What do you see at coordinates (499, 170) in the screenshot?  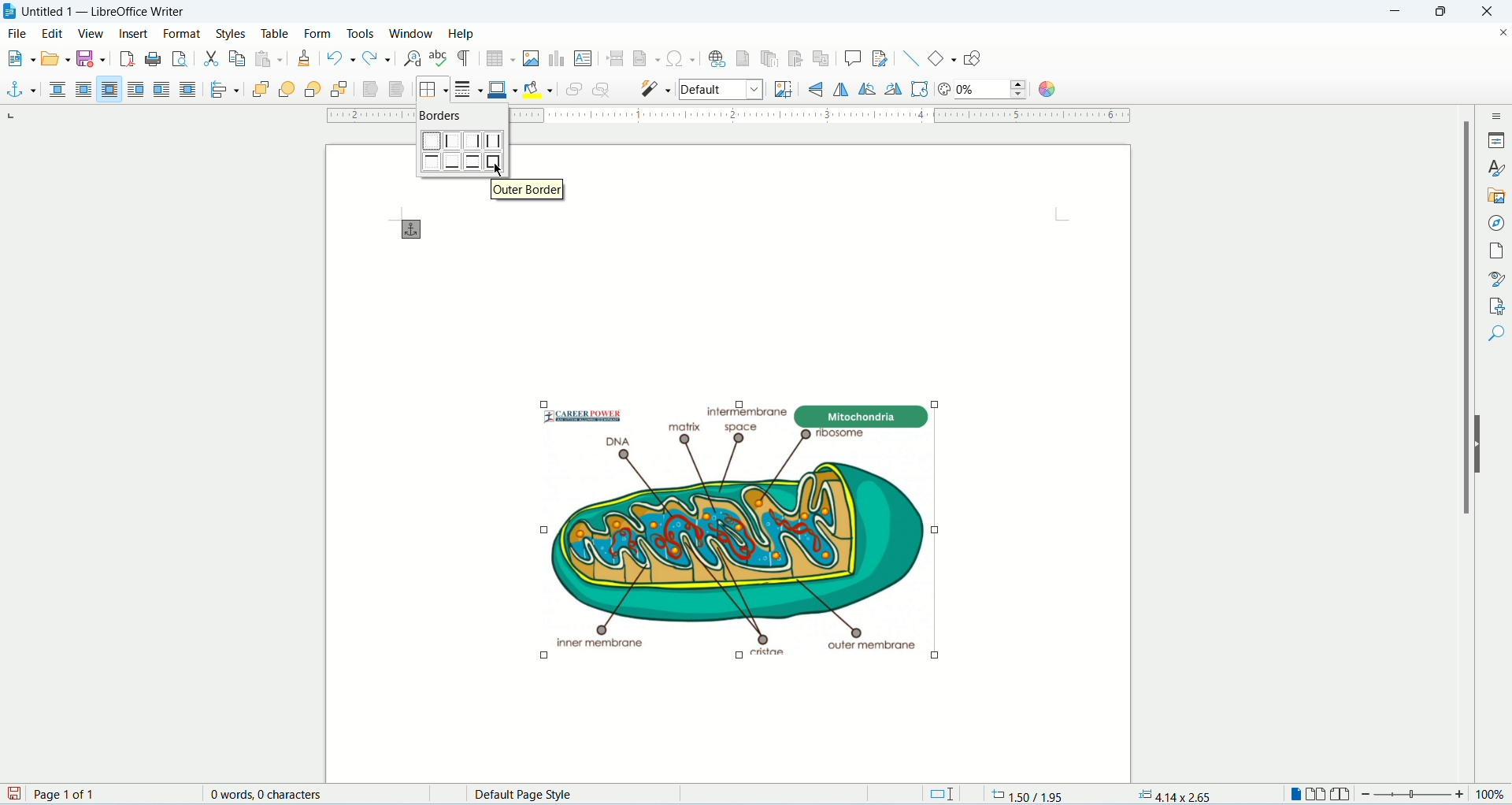 I see `Cursor` at bounding box center [499, 170].